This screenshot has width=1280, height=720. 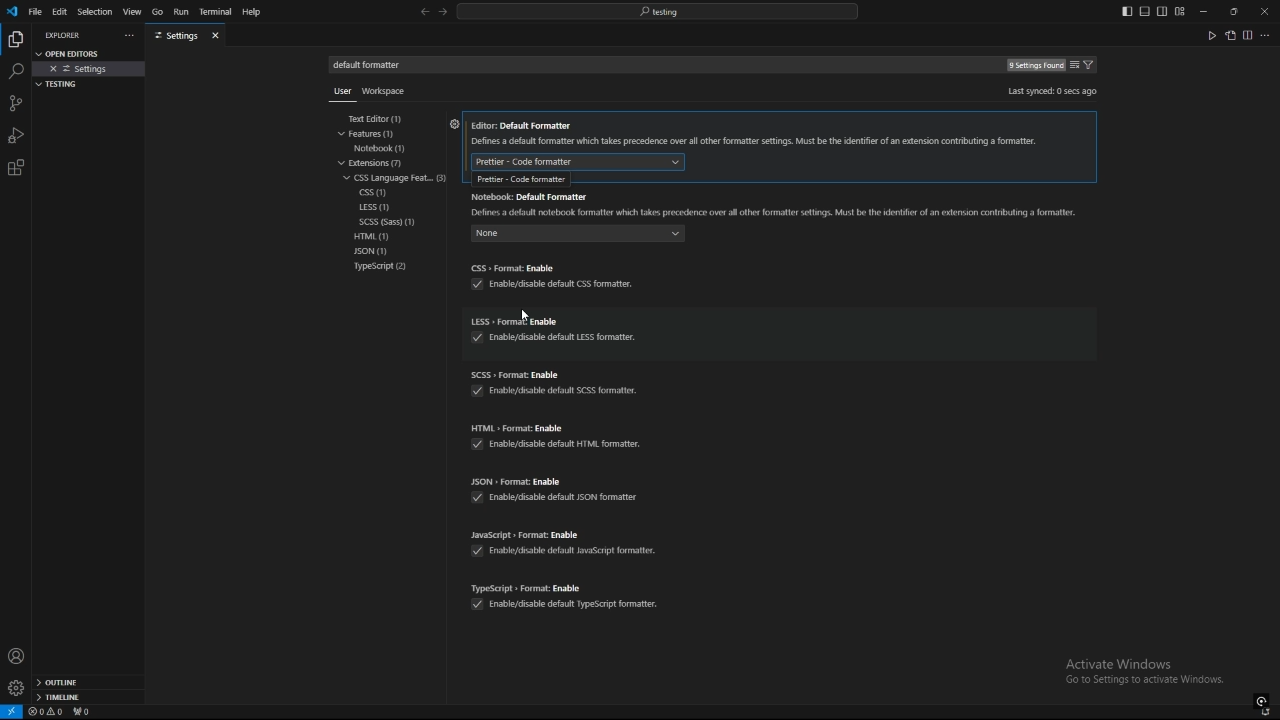 I want to click on editor default formatter, so click(x=757, y=135).